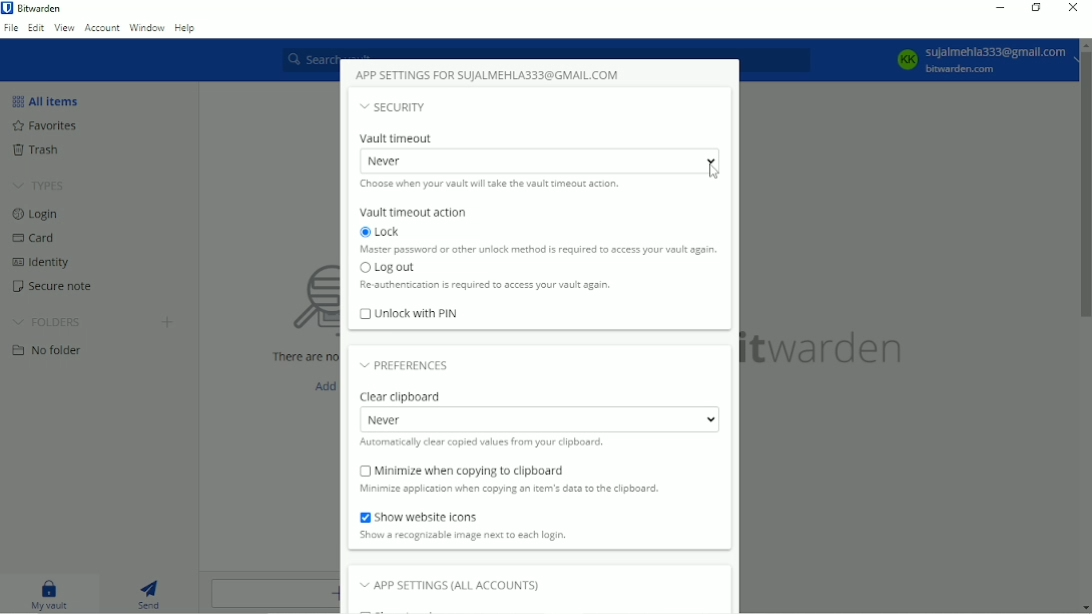 Image resolution: width=1092 pixels, height=614 pixels. Describe the element at coordinates (43, 263) in the screenshot. I see `Identity` at that location.